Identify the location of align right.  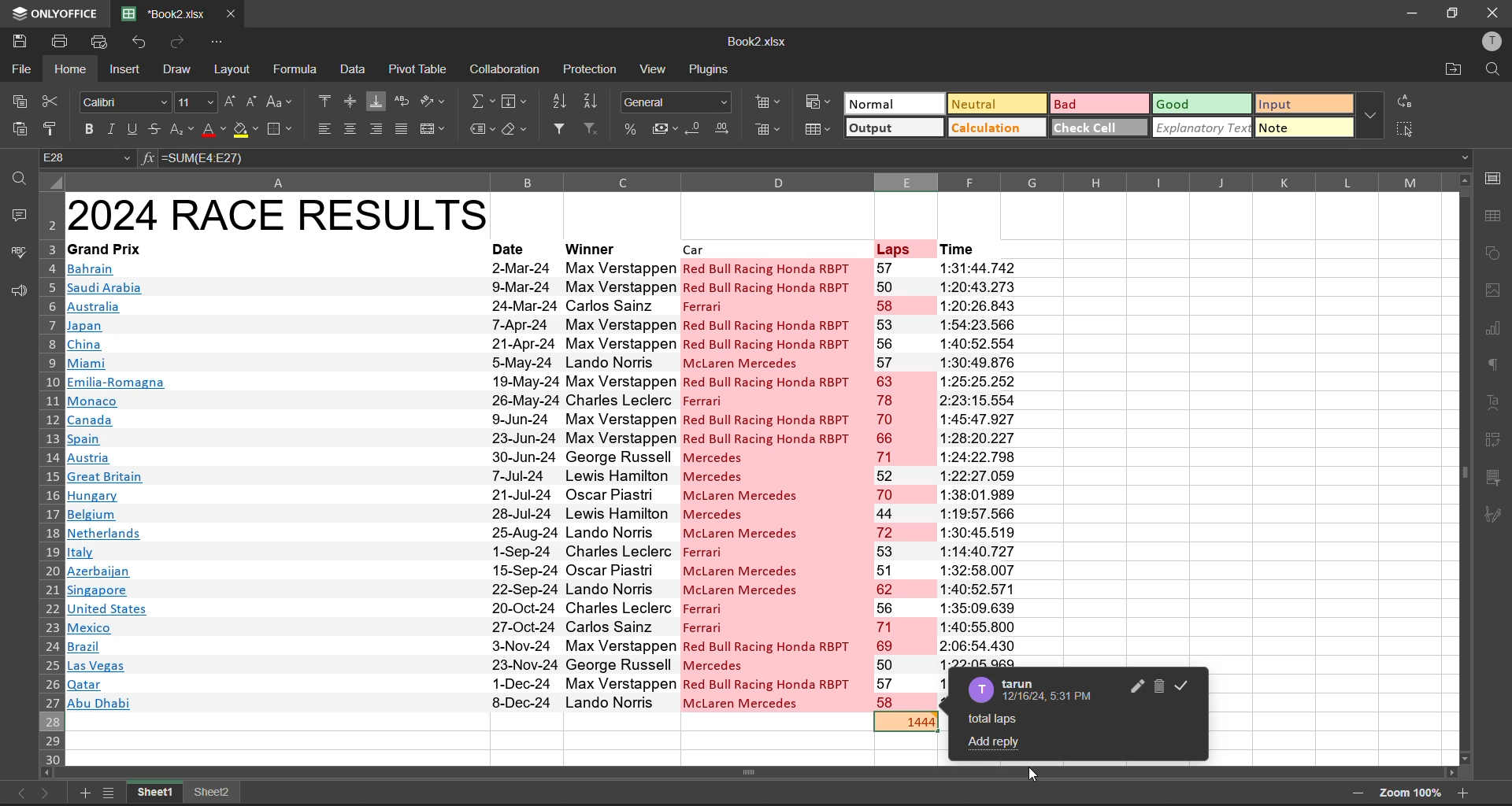
(379, 130).